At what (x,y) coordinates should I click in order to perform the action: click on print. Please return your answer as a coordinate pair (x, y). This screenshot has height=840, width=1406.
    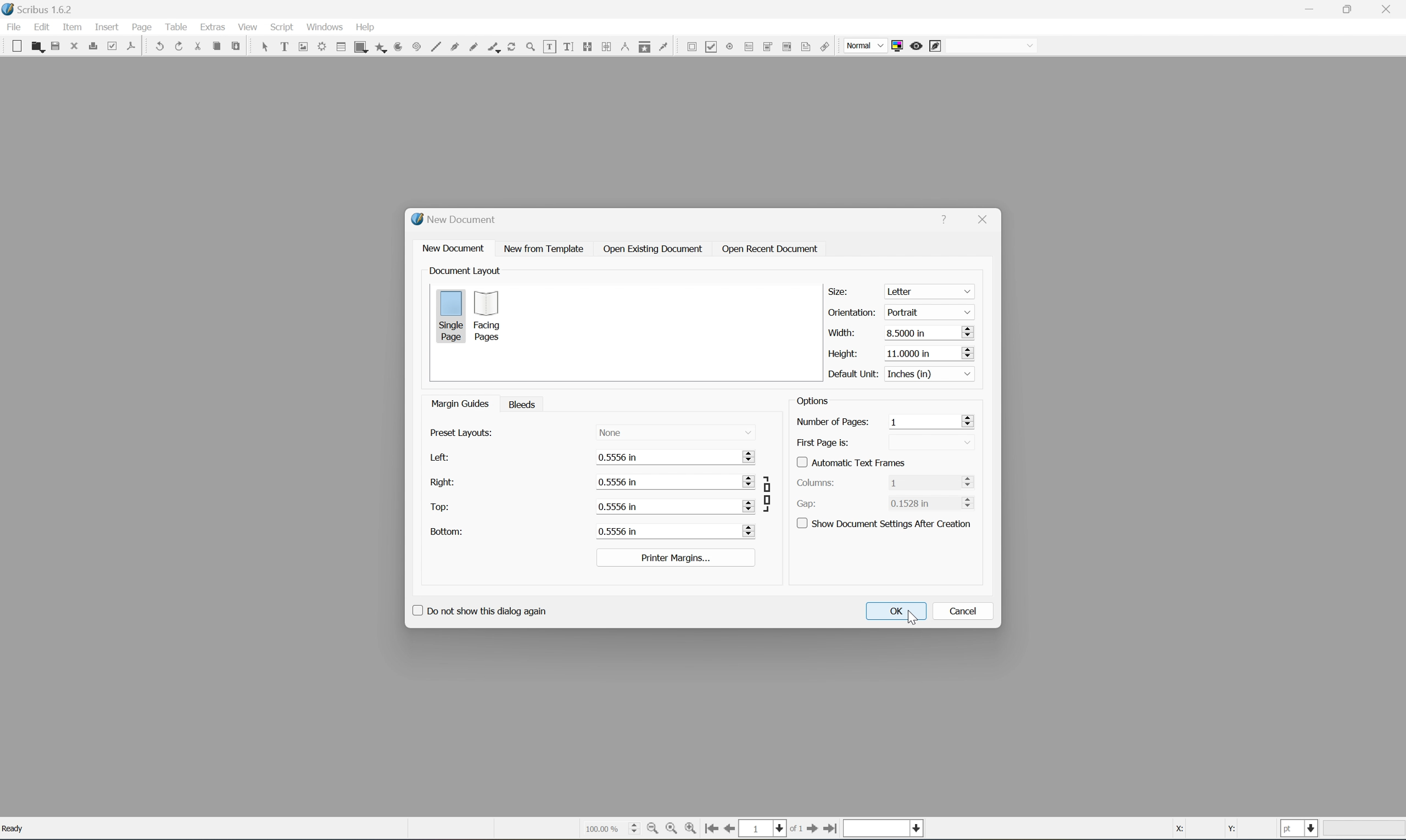
    Looking at the image, I should click on (92, 45).